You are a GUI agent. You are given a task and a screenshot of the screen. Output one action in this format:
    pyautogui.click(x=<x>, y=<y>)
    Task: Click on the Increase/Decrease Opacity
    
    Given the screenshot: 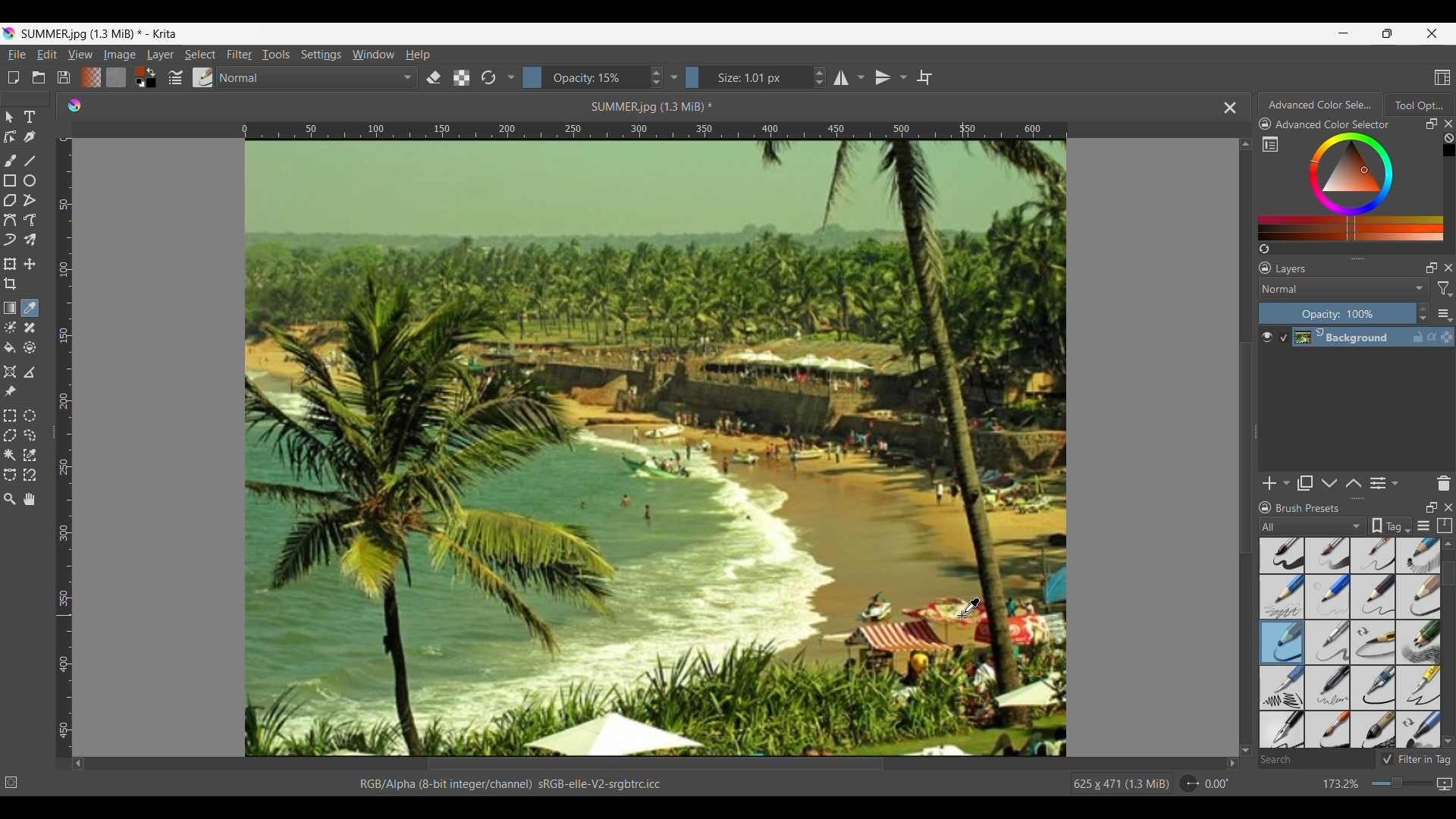 What is the action you would take?
    pyautogui.click(x=655, y=77)
    